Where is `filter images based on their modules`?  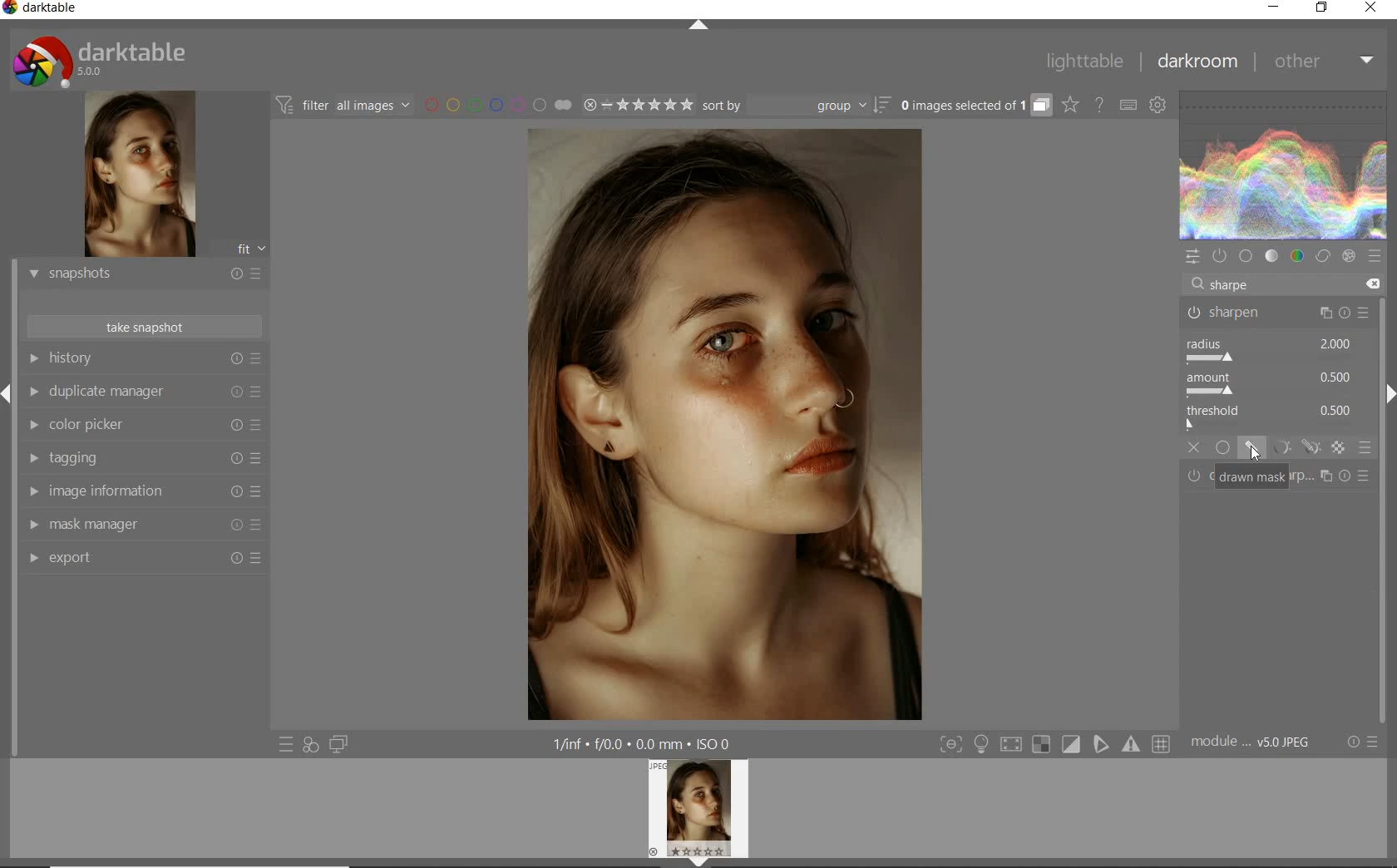 filter images based on their modules is located at coordinates (341, 104).